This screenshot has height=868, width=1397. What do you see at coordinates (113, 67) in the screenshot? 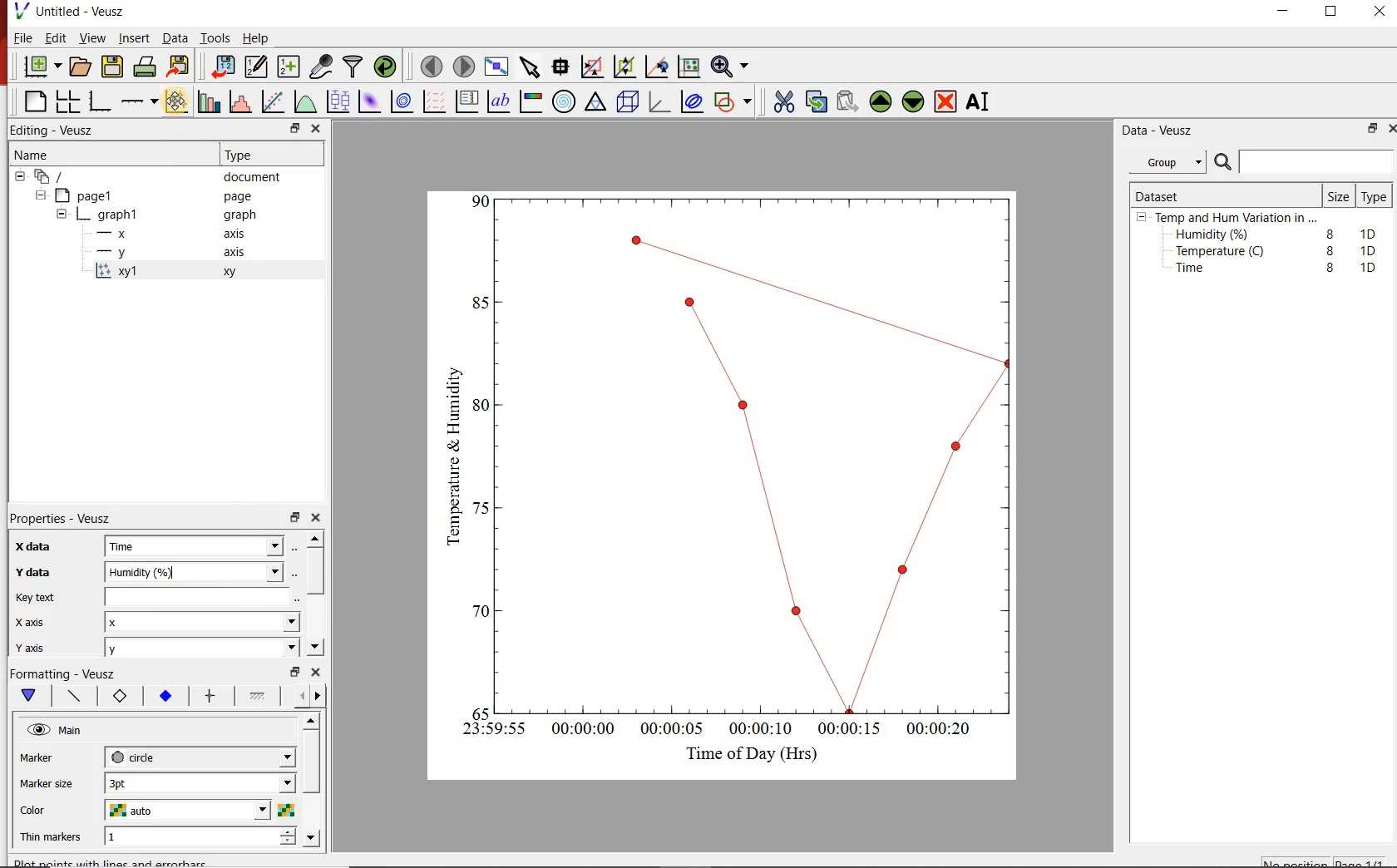
I see `save the document` at bounding box center [113, 67].